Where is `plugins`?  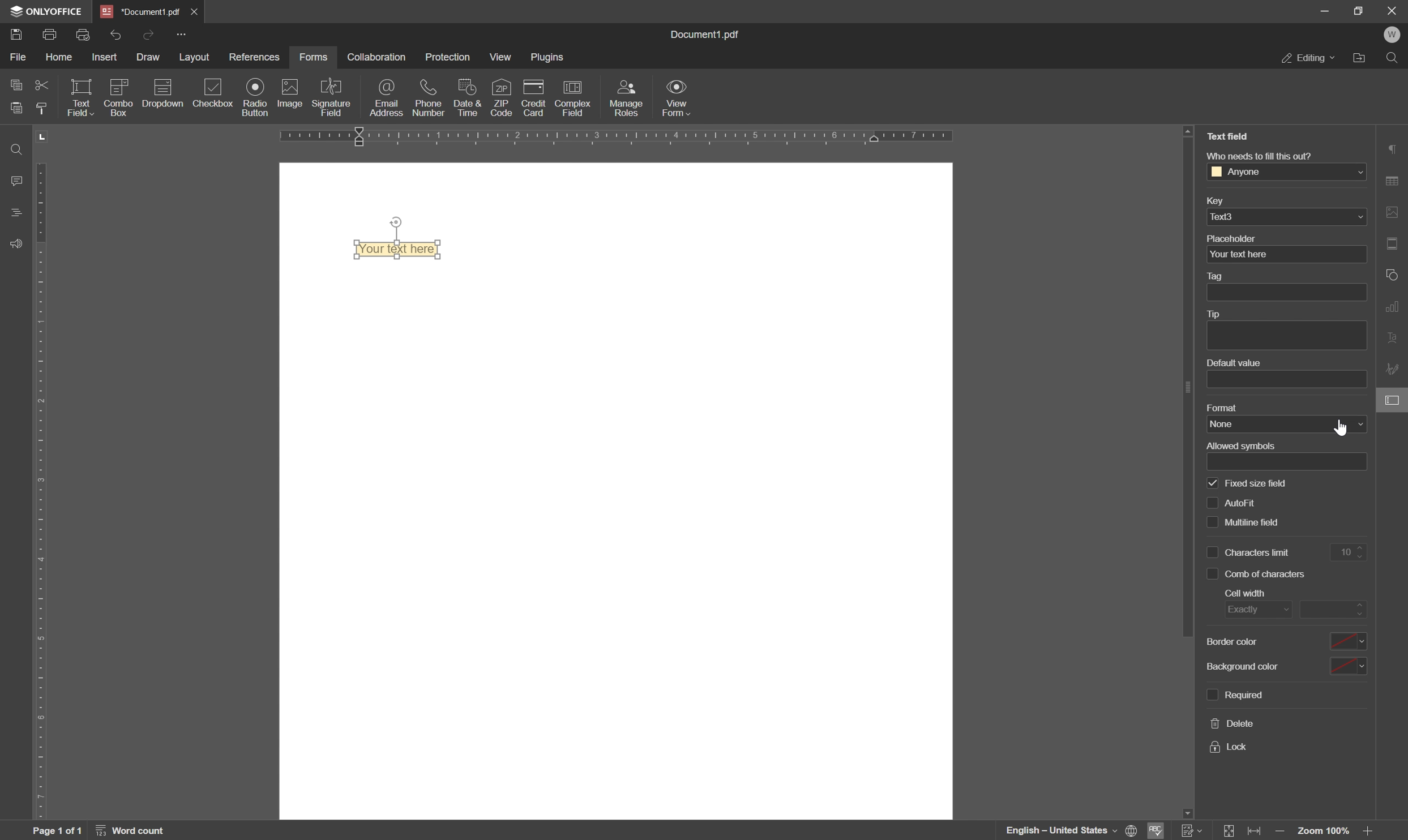
plugins is located at coordinates (549, 58).